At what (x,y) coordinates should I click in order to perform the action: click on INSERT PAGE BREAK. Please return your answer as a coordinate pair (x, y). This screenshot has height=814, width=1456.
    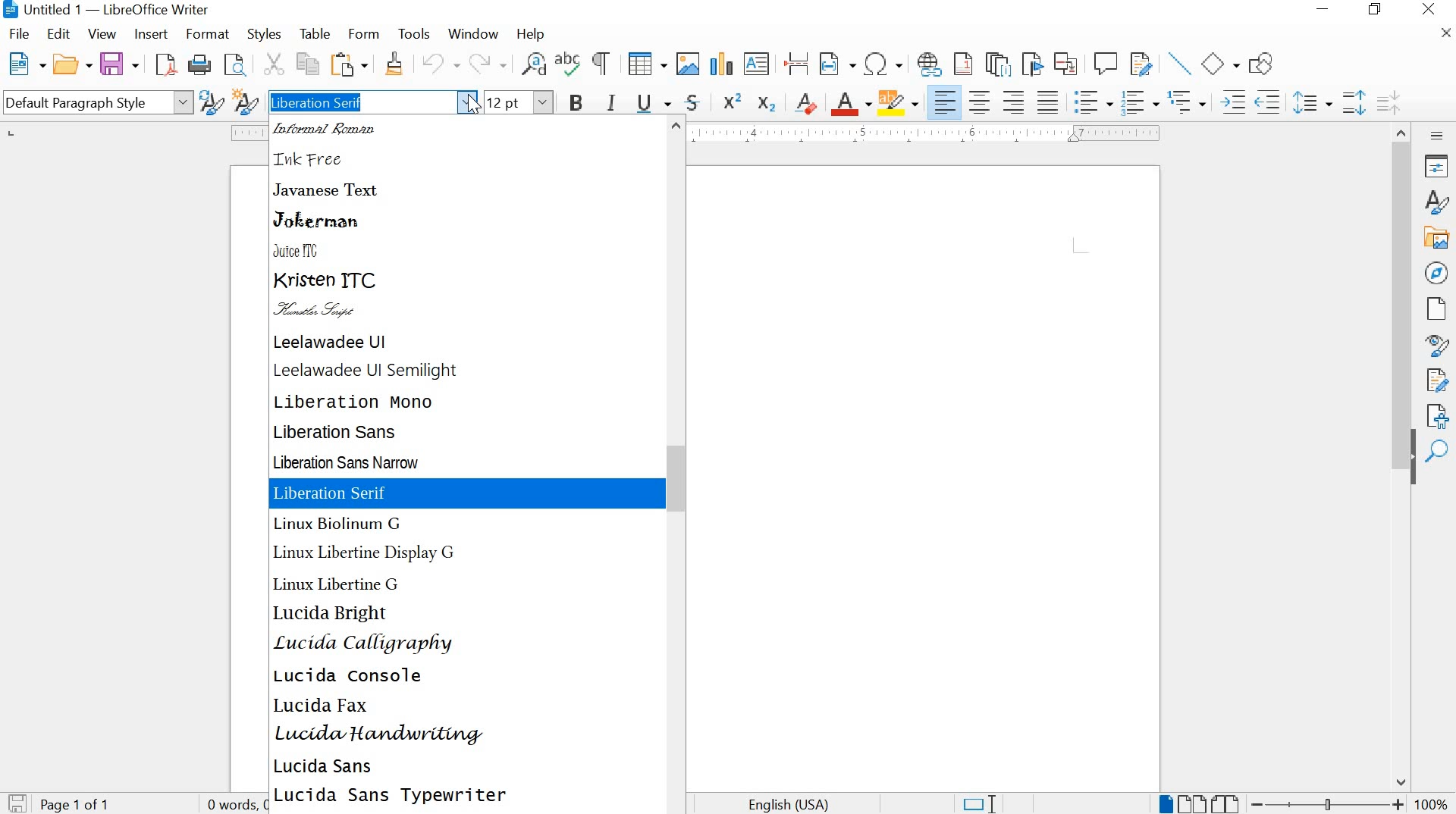
    Looking at the image, I should click on (798, 64).